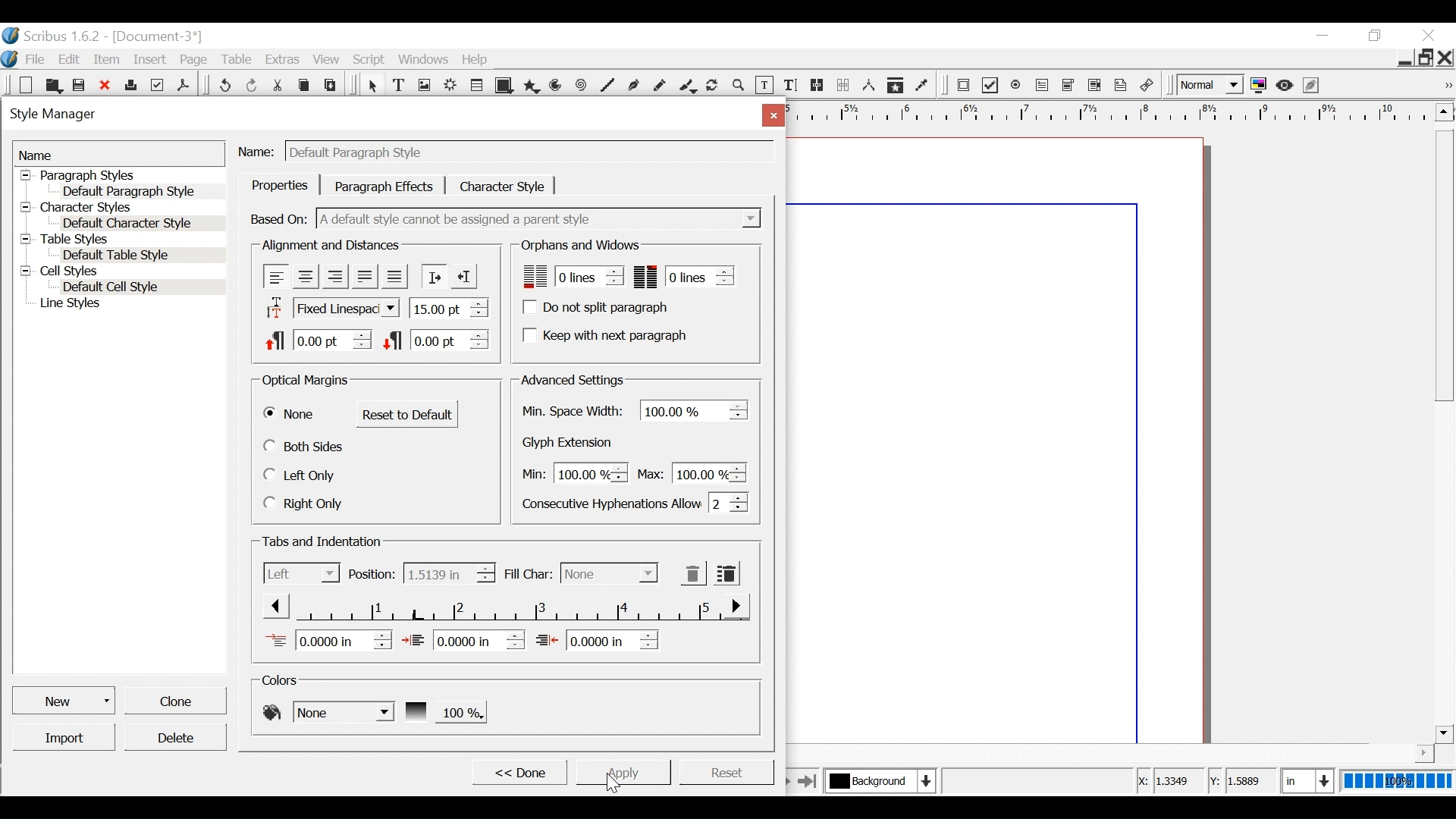 Image resolution: width=1456 pixels, height=819 pixels. What do you see at coordinates (506, 86) in the screenshot?
I see `Shape ` at bounding box center [506, 86].